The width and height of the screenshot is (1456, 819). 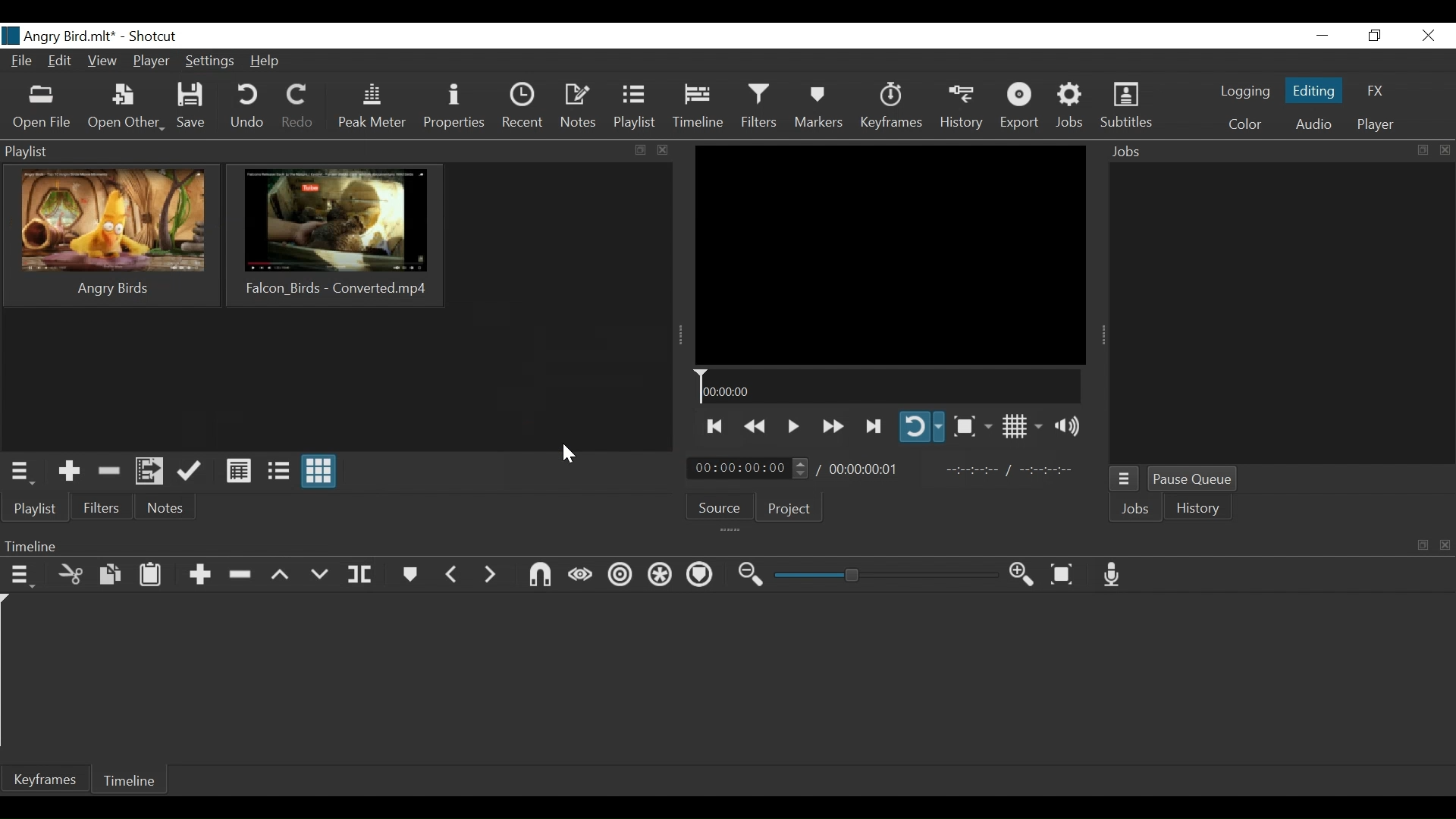 What do you see at coordinates (1323, 36) in the screenshot?
I see `minimize` at bounding box center [1323, 36].